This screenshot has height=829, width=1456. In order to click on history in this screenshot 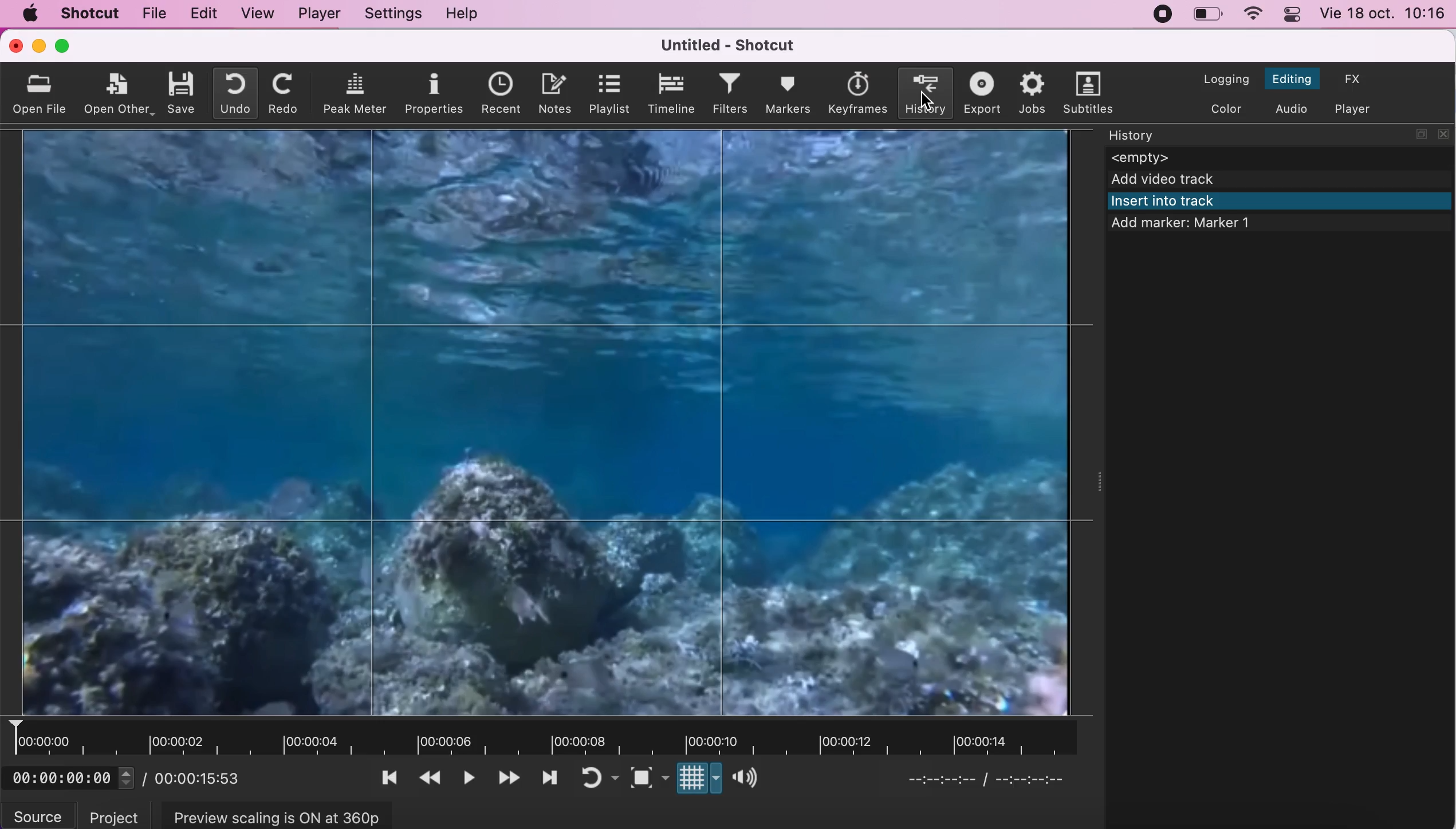, I will do `click(924, 92)`.